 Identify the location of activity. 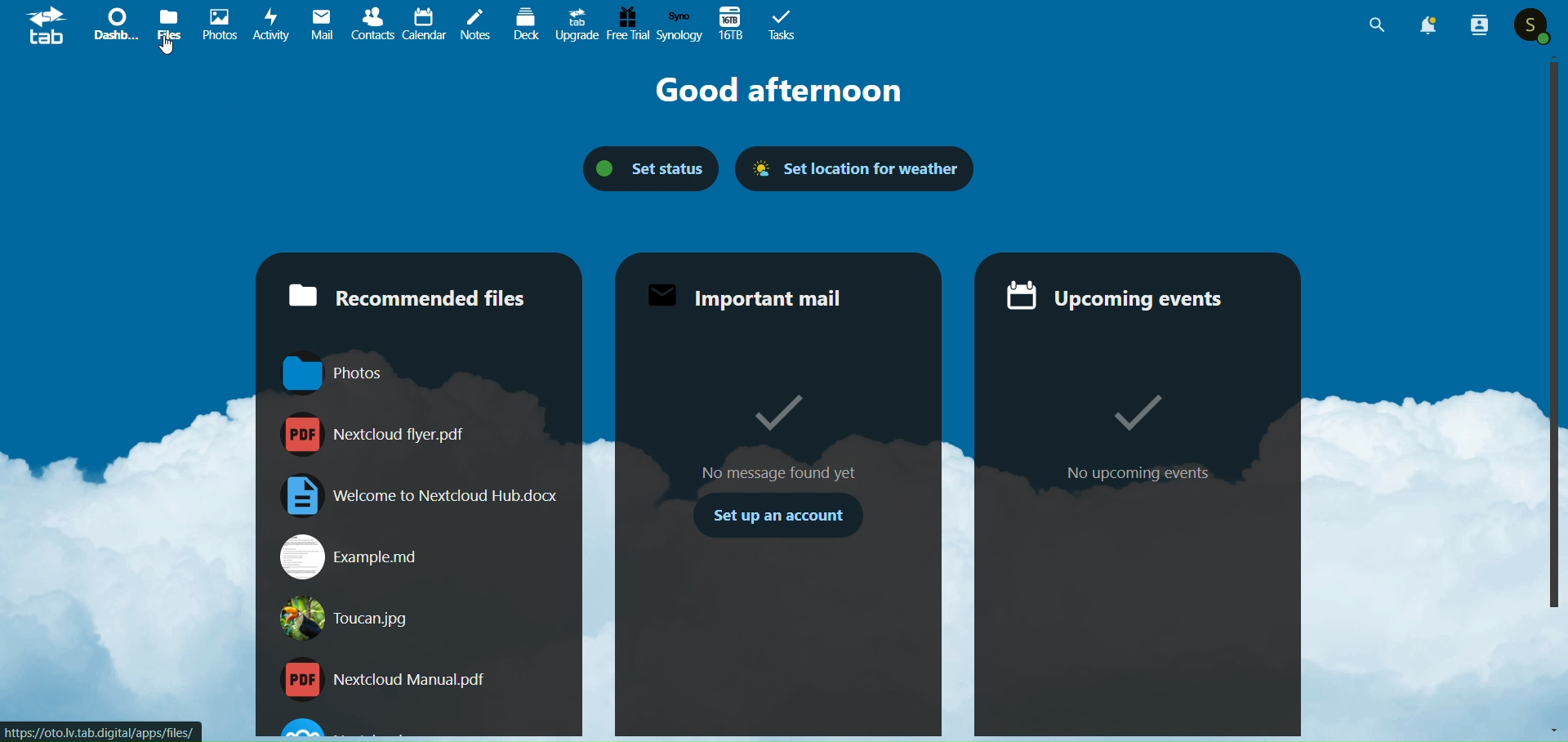
(271, 25).